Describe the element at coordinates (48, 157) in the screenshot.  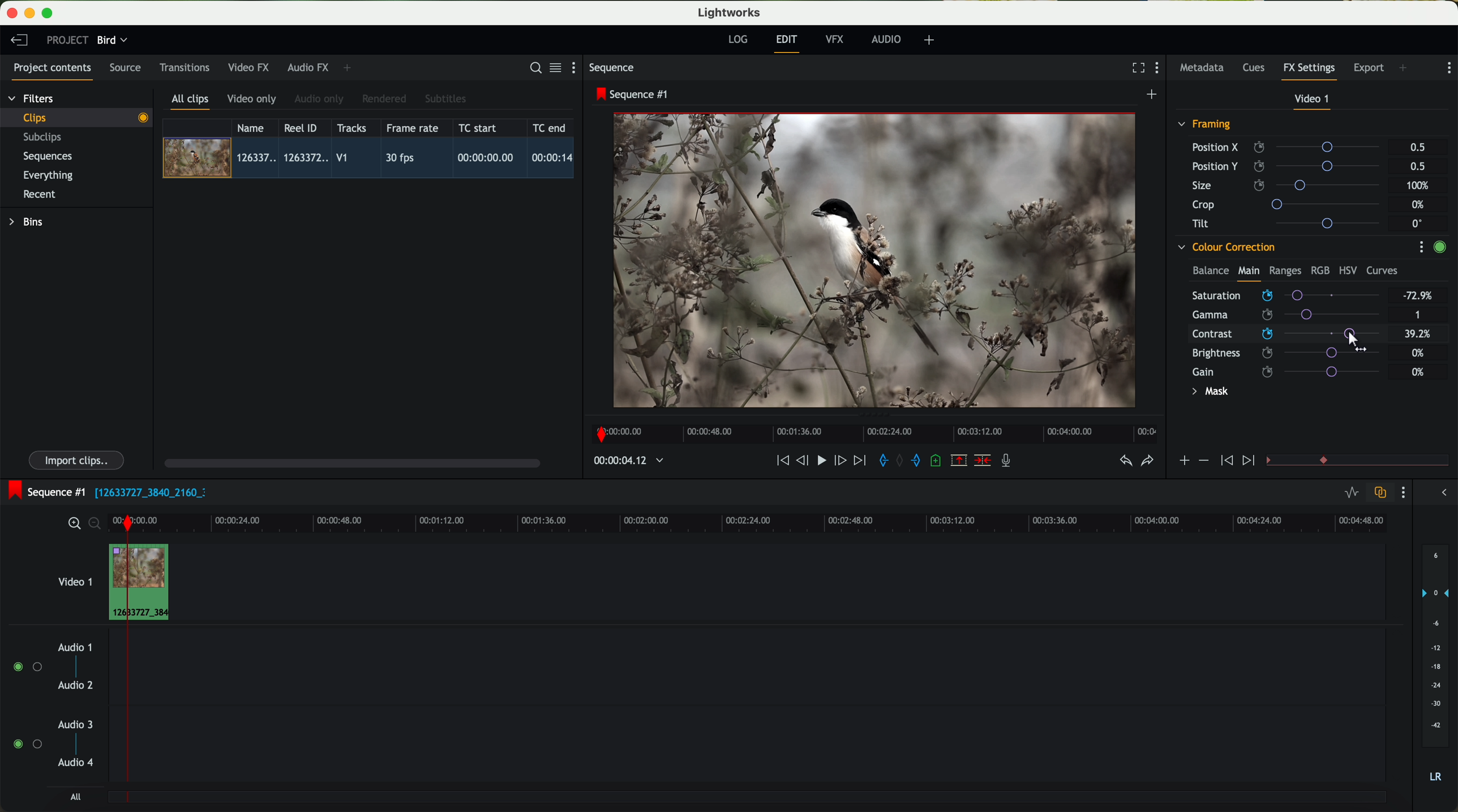
I see `sequences` at that location.